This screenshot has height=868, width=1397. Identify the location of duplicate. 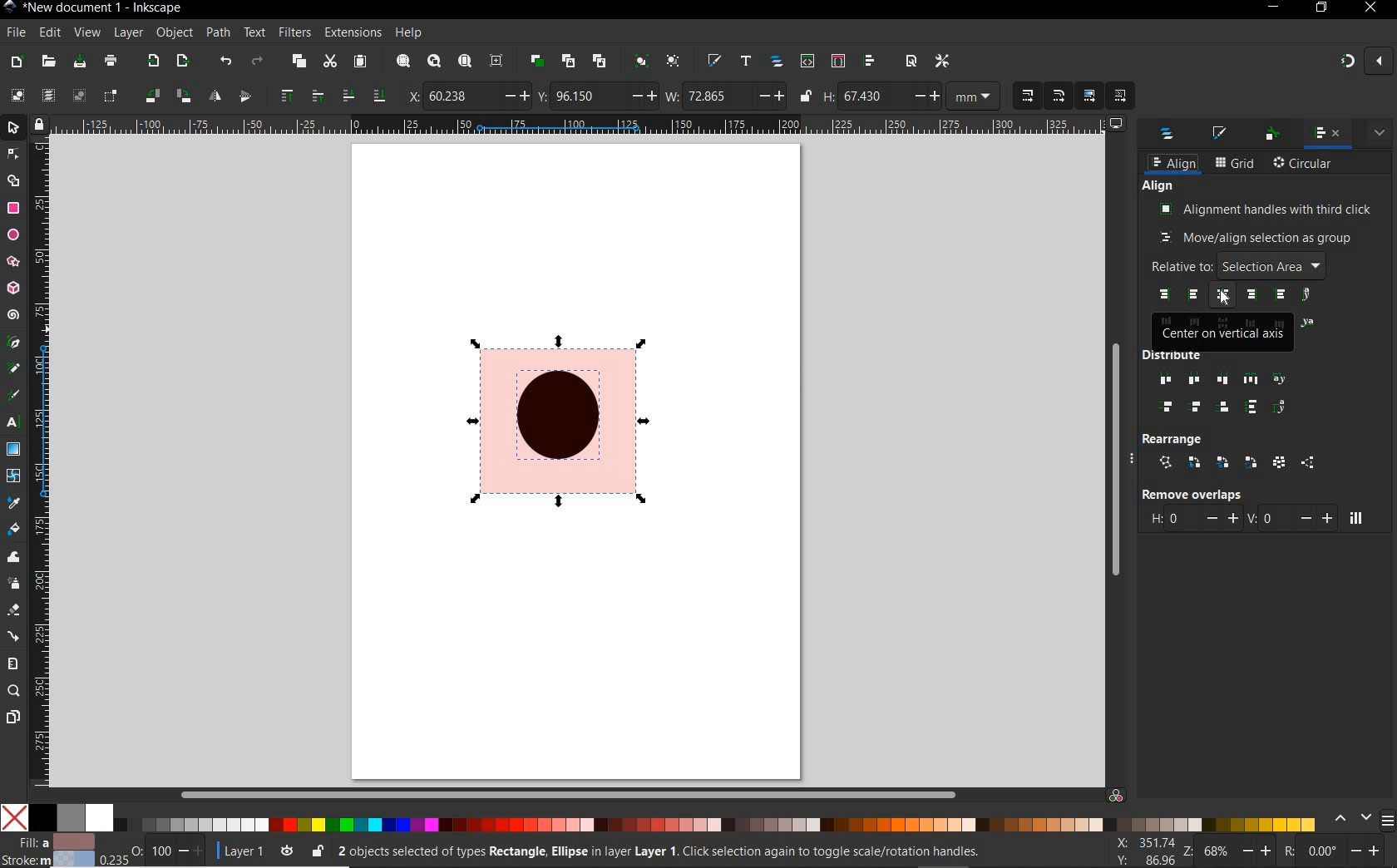
(538, 62).